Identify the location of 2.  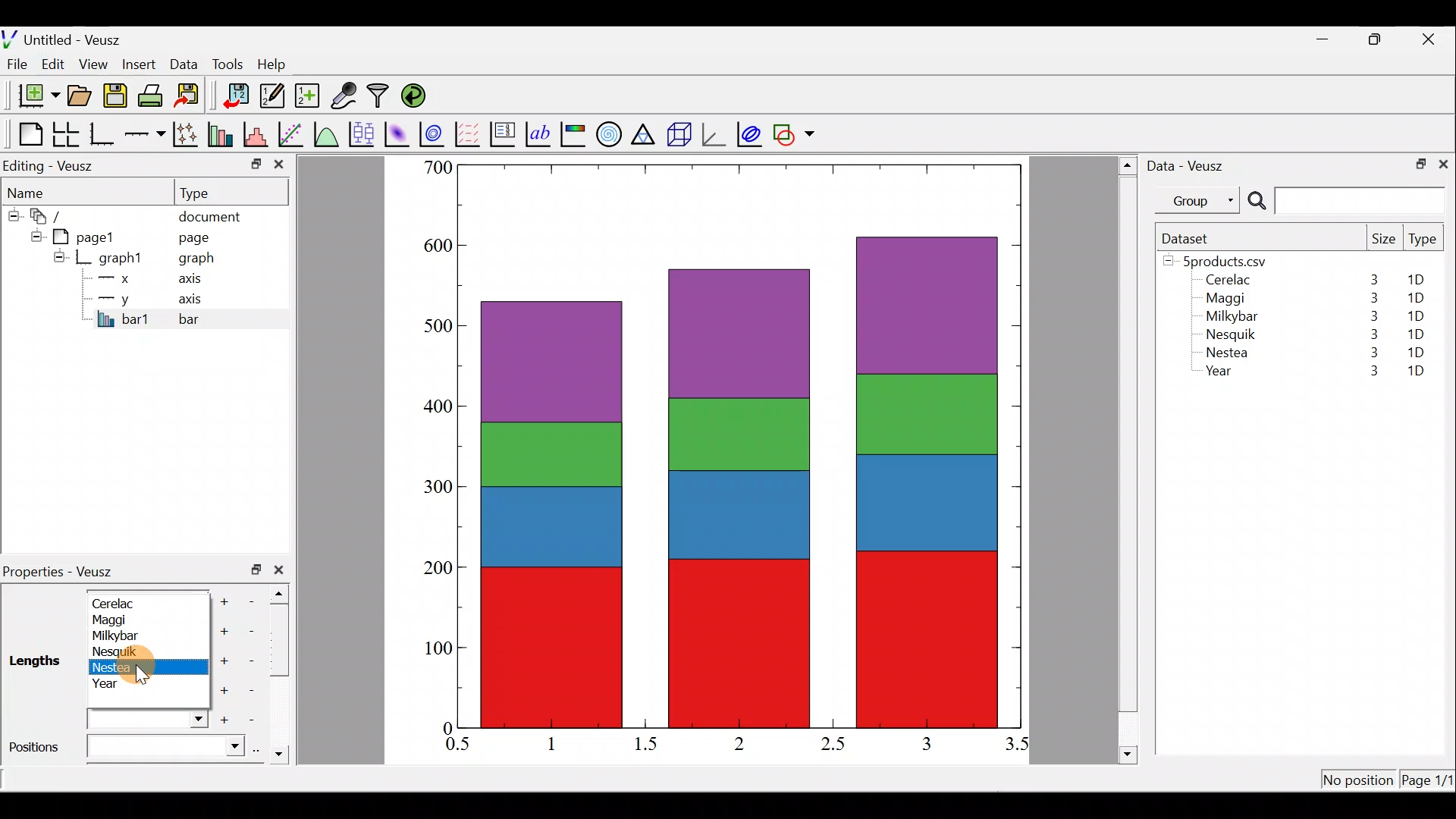
(736, 742).